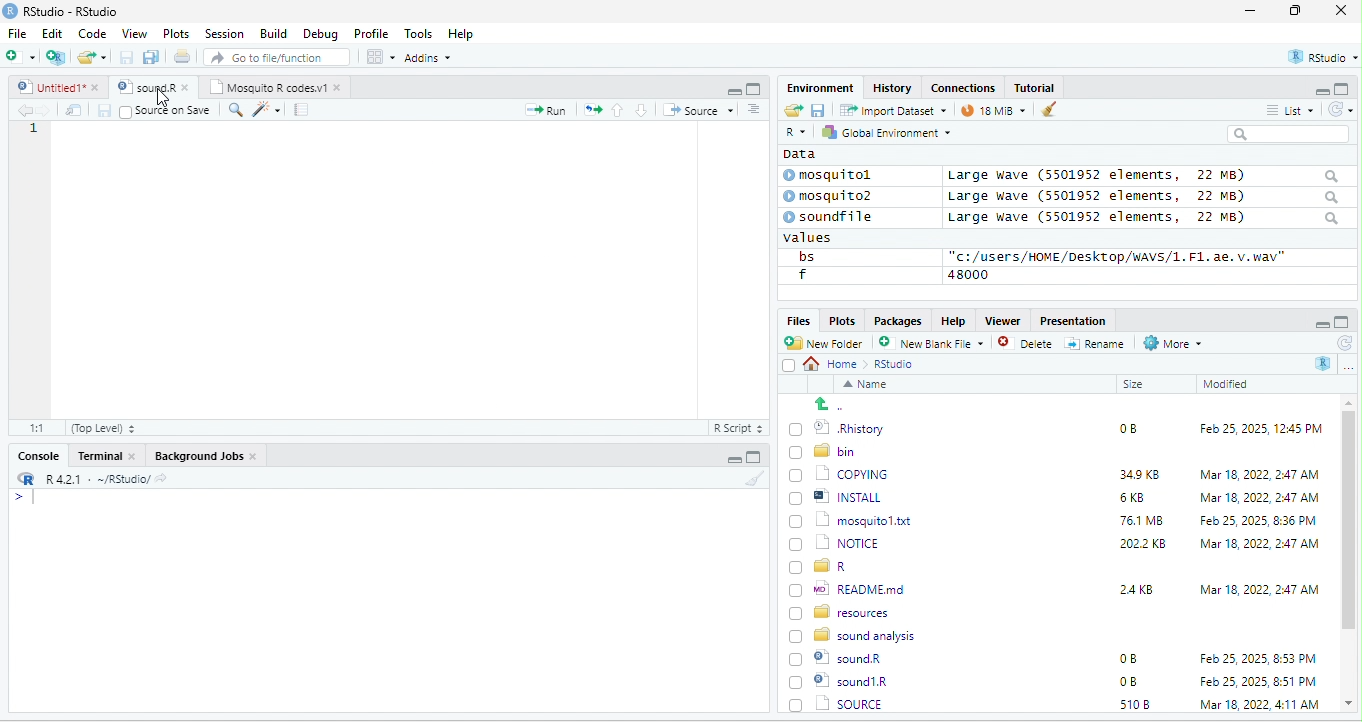  I want to click on select, so click(791, 369).